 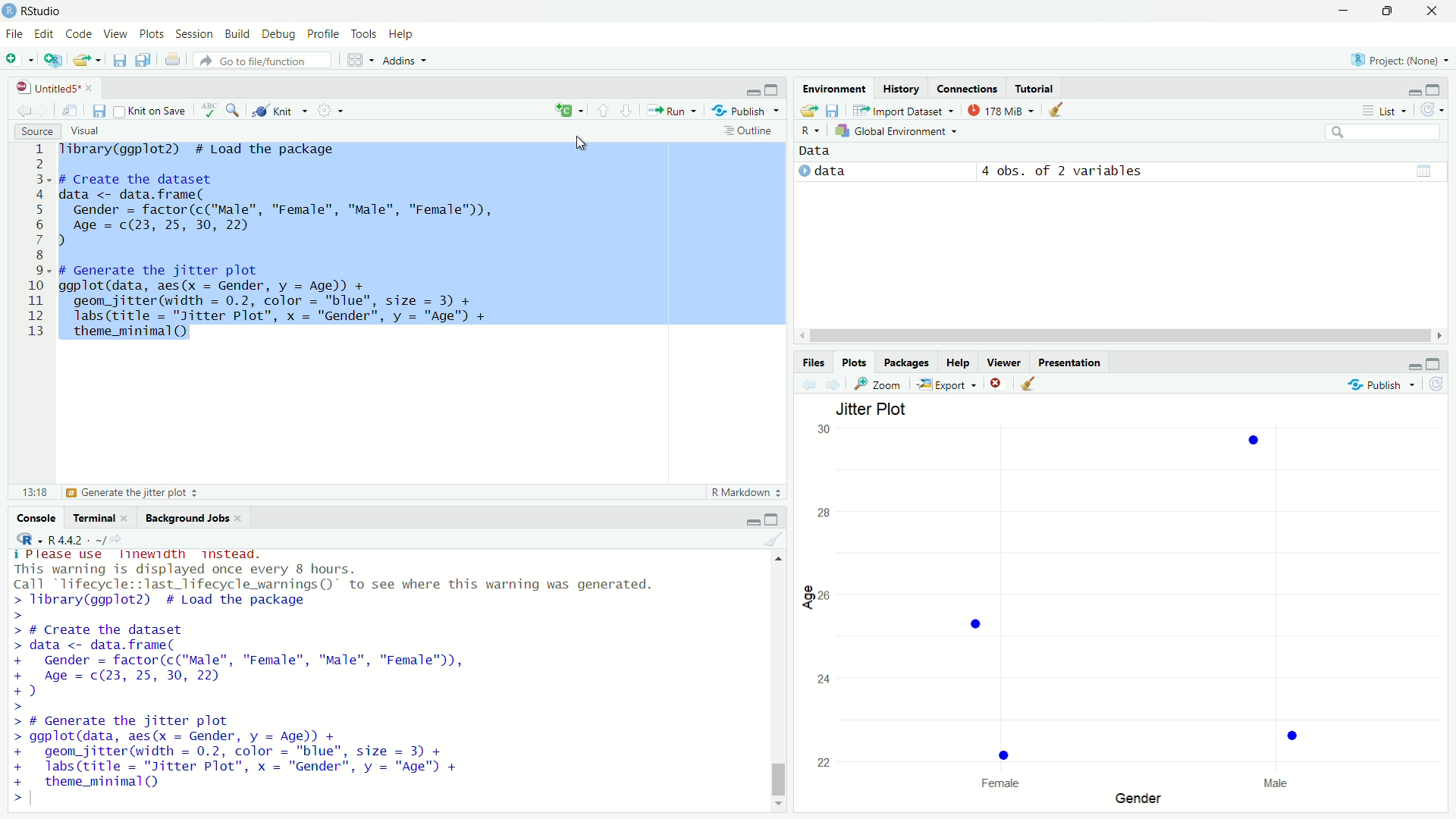 What do you see at coordinates (88, 132) in the screenshot?
I see `visual` at bounding box center [88, 132].